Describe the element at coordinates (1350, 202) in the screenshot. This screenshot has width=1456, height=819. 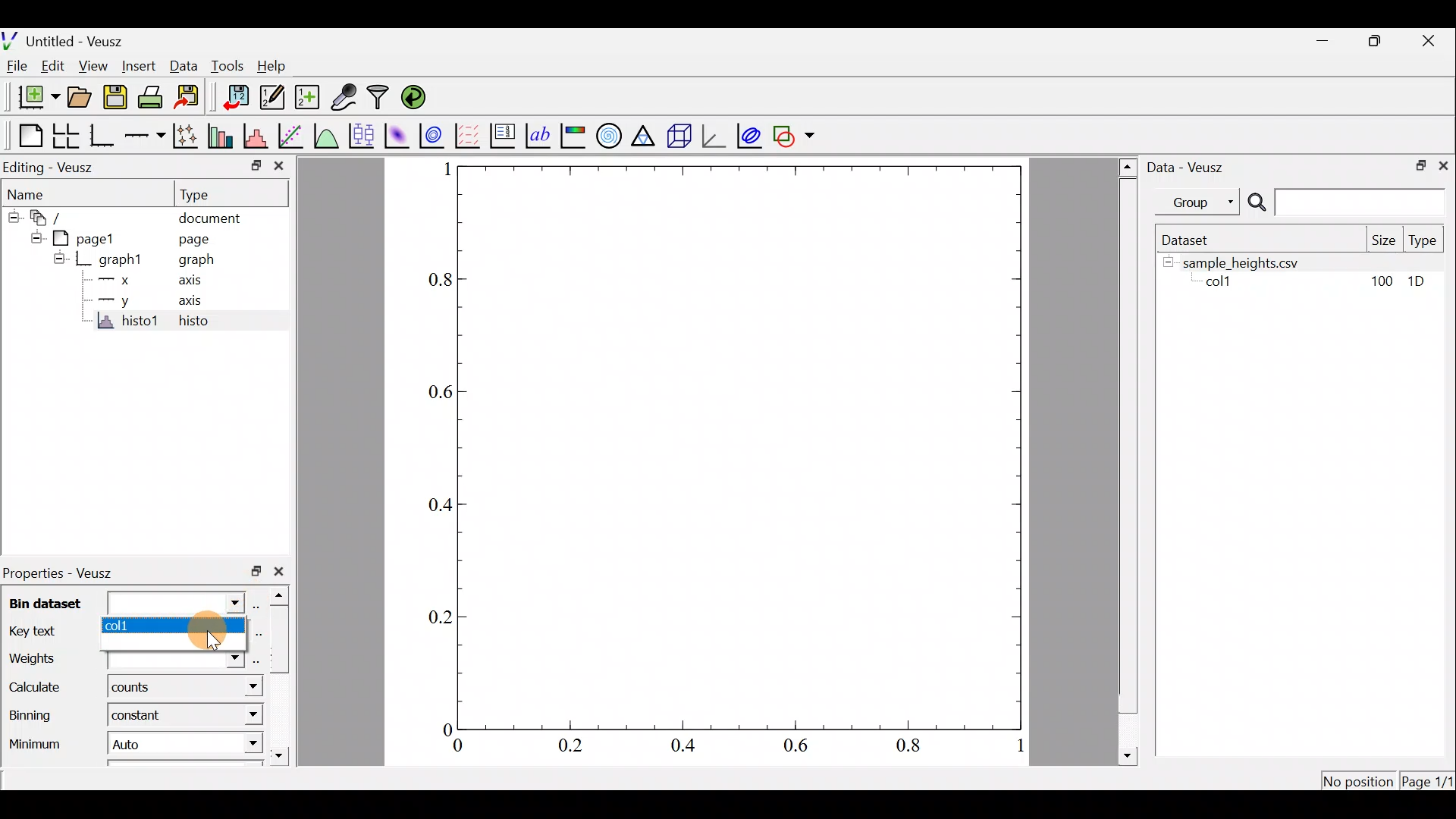
I see `search bar` at that location.